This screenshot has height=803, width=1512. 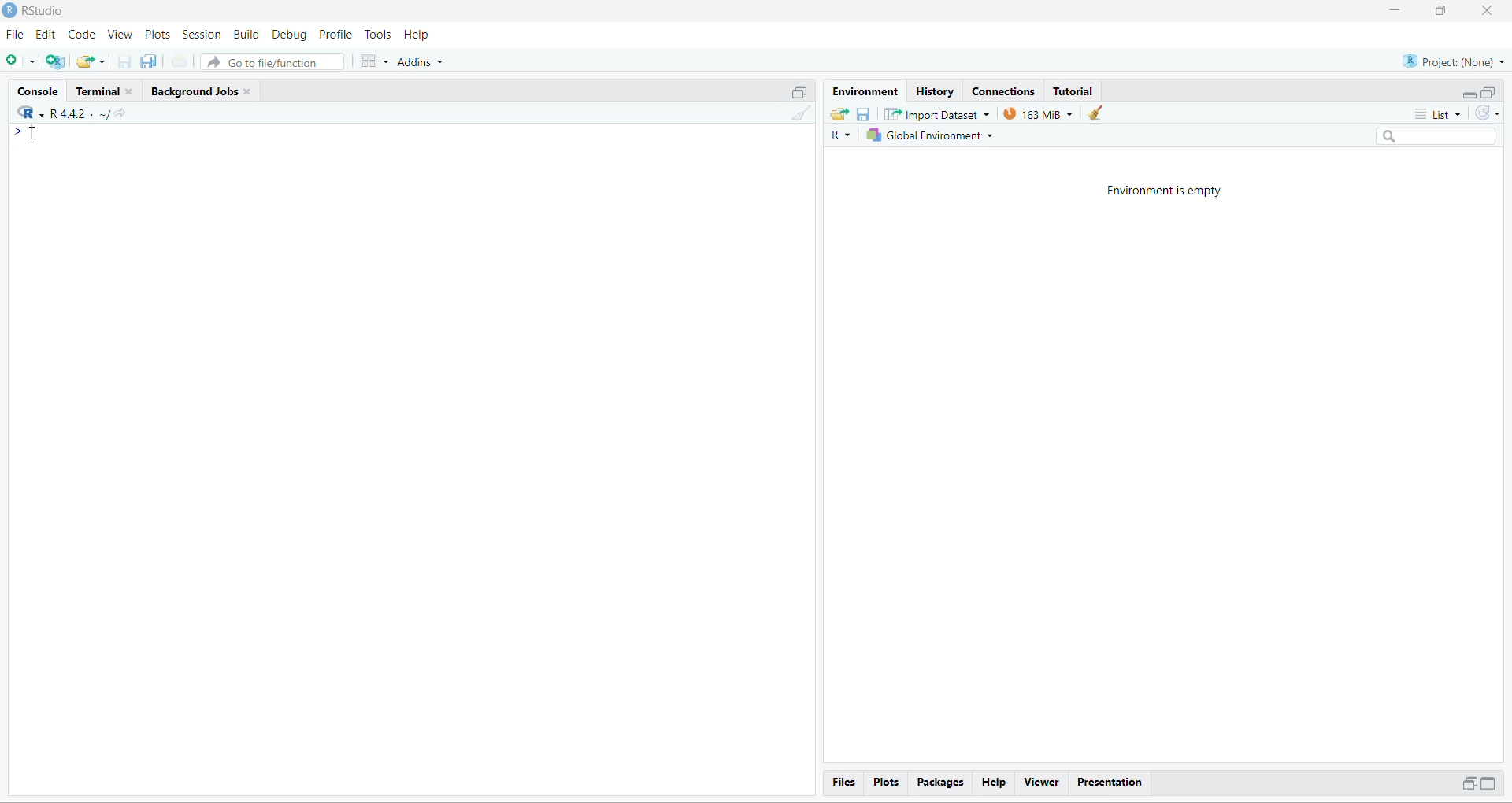 What do you see at coordinates (839, 135) in the screenshot?
I see `R` at bounding box center [839, 135].